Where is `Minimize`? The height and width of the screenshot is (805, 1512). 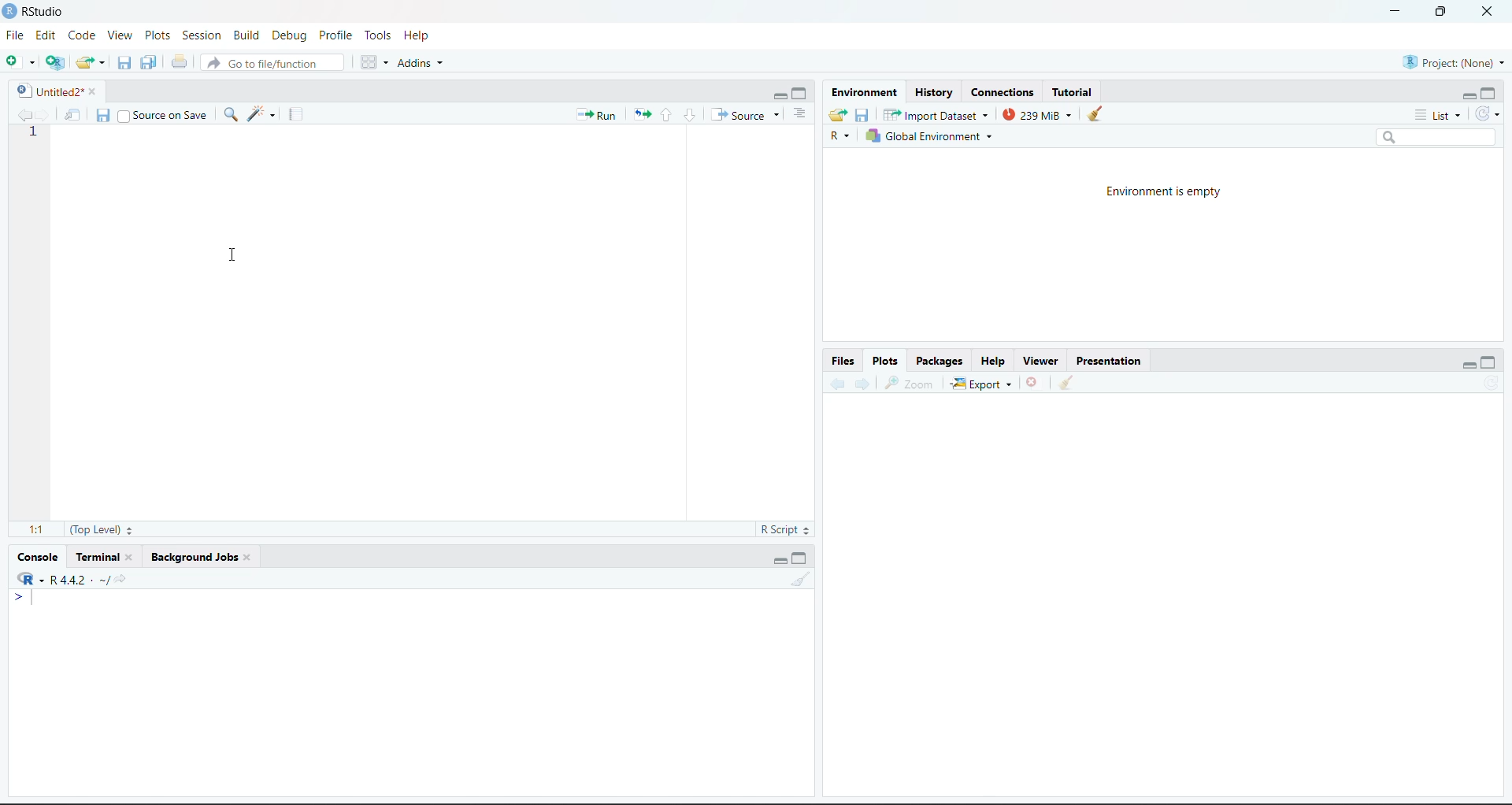
Minimize is located at coordinates (1395, 12).